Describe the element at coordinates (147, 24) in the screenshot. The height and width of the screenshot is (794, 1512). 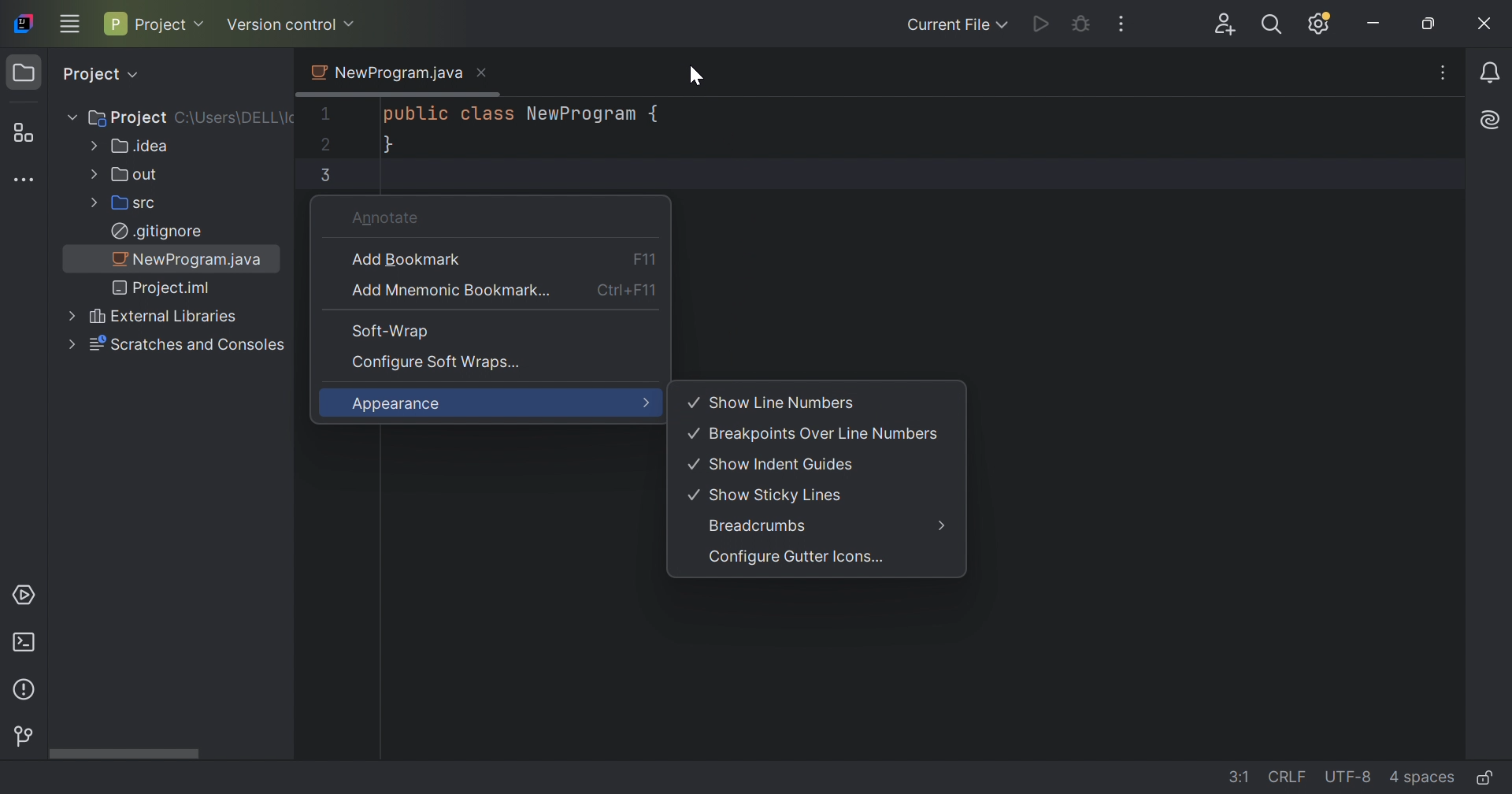
I see `Project` at that location.